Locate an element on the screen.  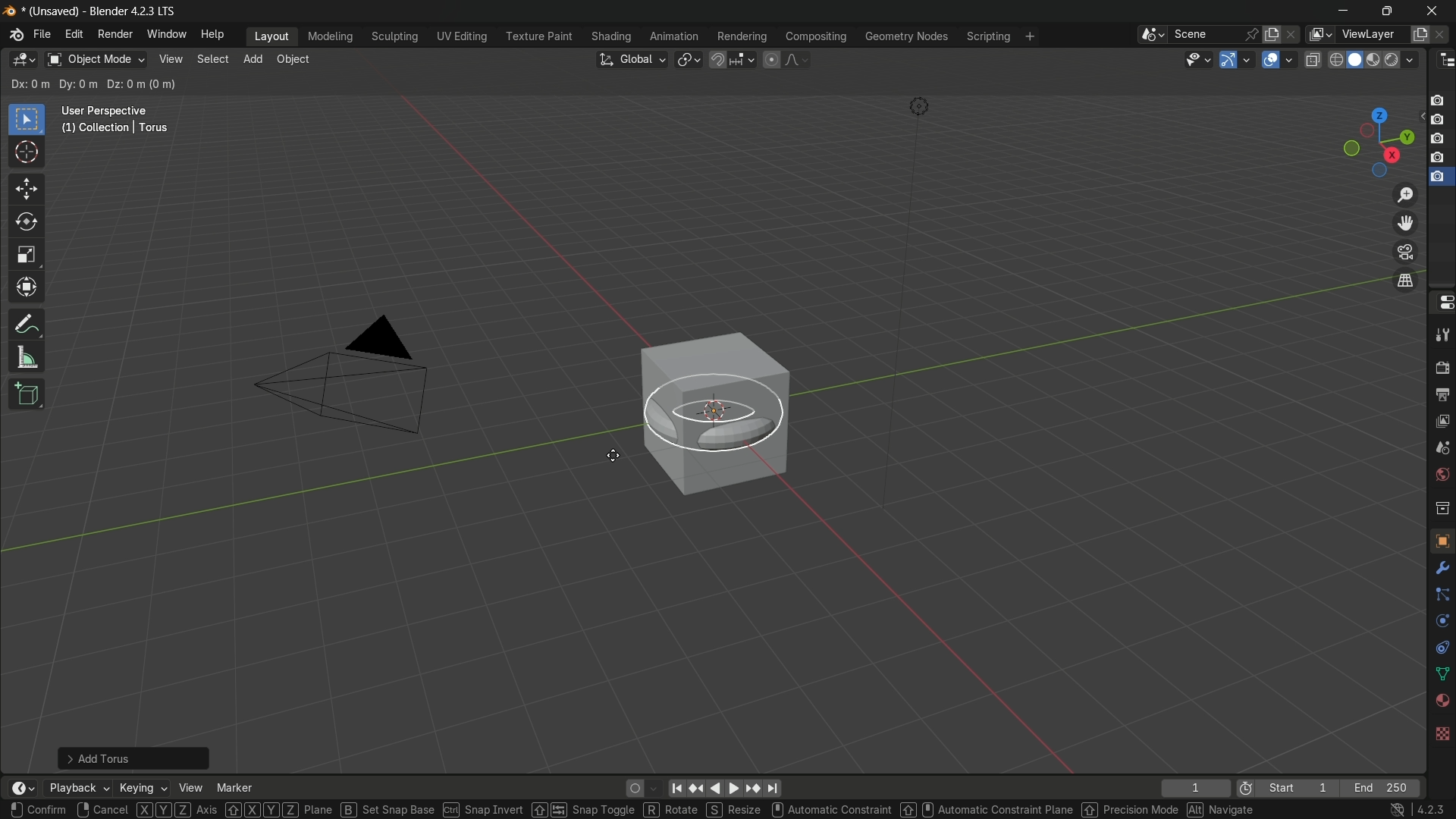
Precision Mode is located at coordinates (1131, 810).